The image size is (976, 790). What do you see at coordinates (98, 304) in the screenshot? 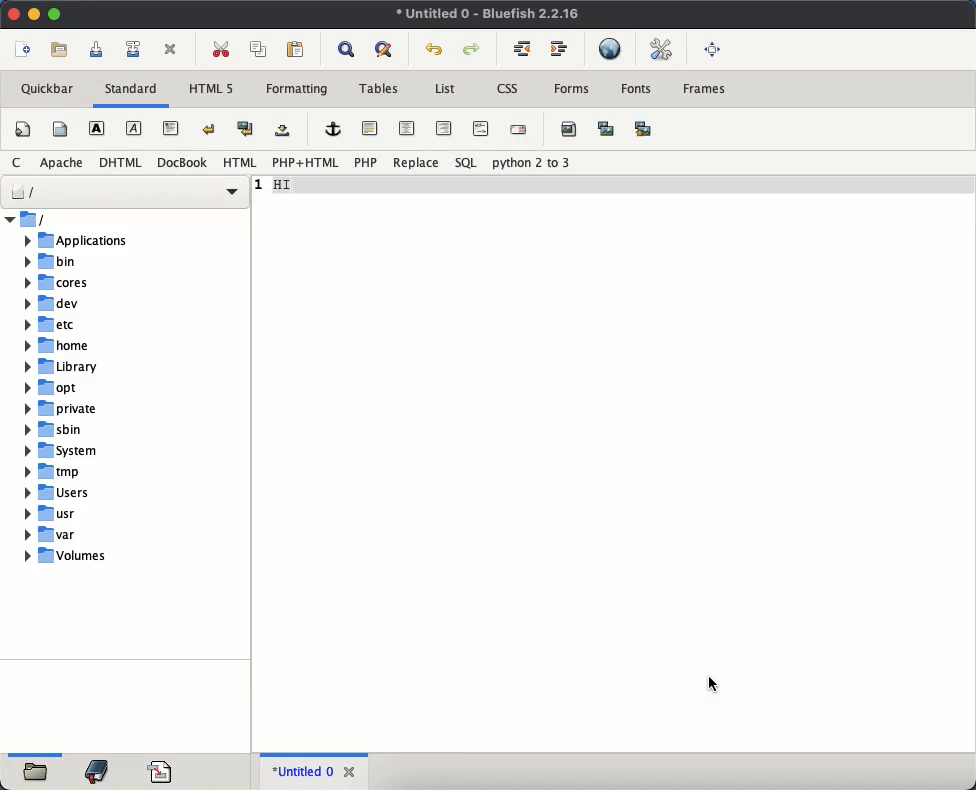
I see `dev` at bounding box center [98, 304].